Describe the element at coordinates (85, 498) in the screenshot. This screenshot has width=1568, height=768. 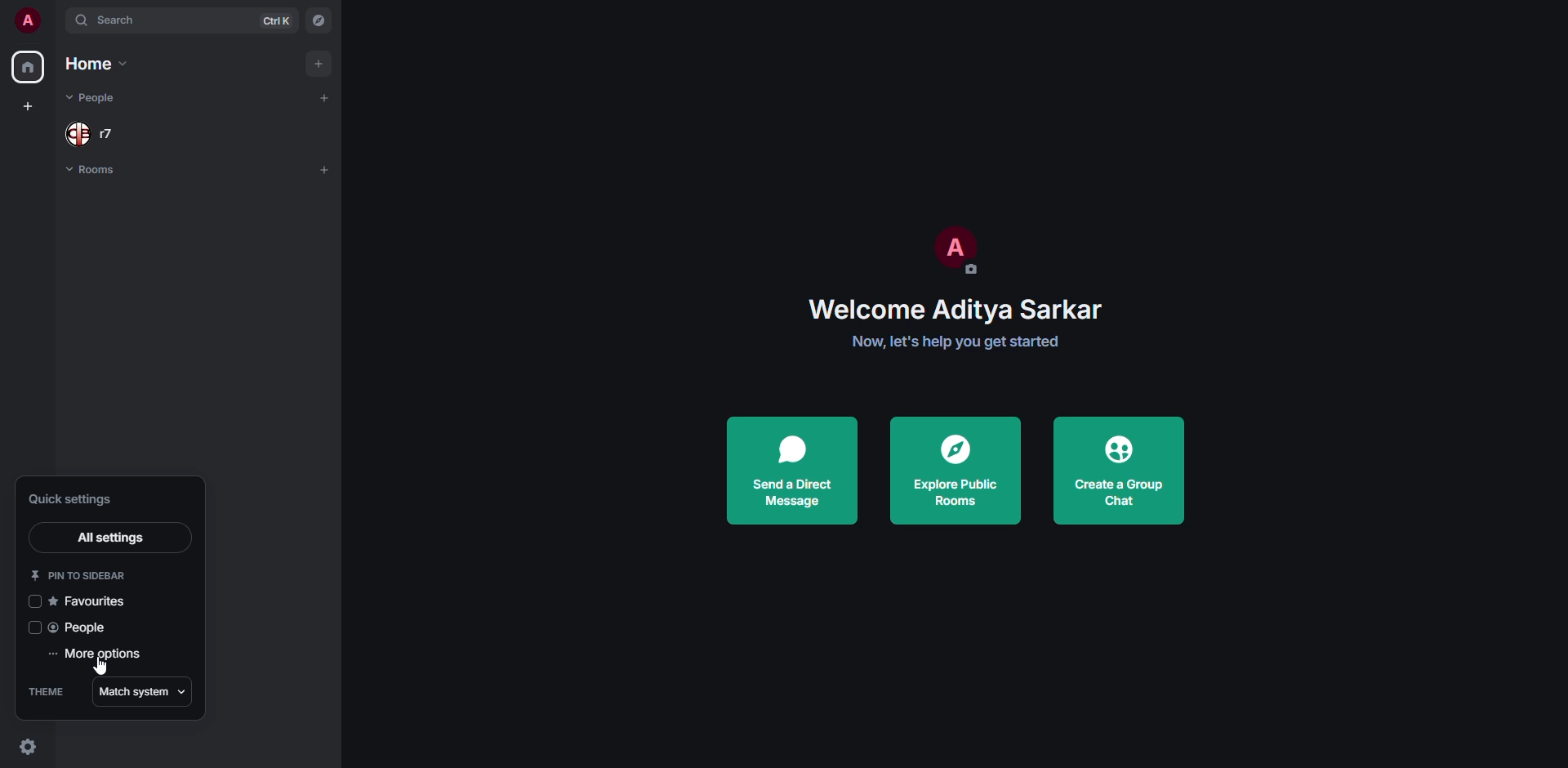
I see `quick settings` at that location.